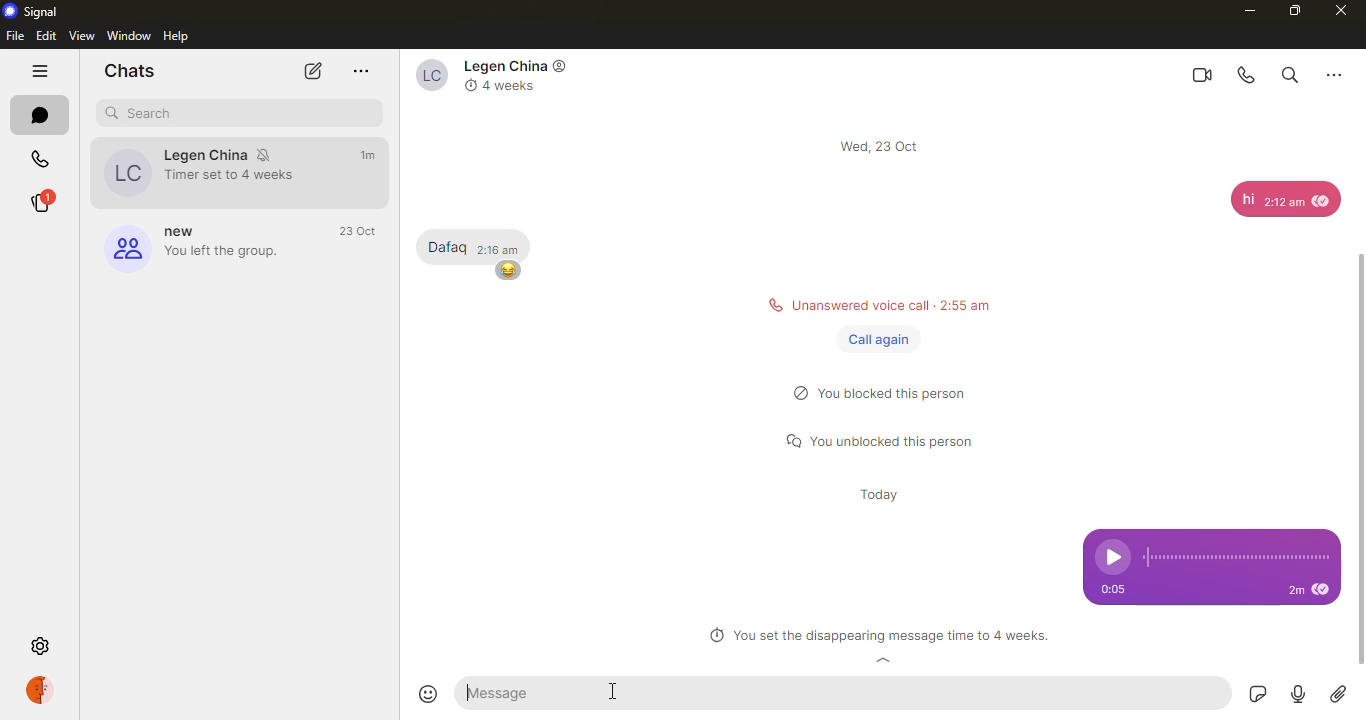  I want to click on cursor, so click(616, 697).